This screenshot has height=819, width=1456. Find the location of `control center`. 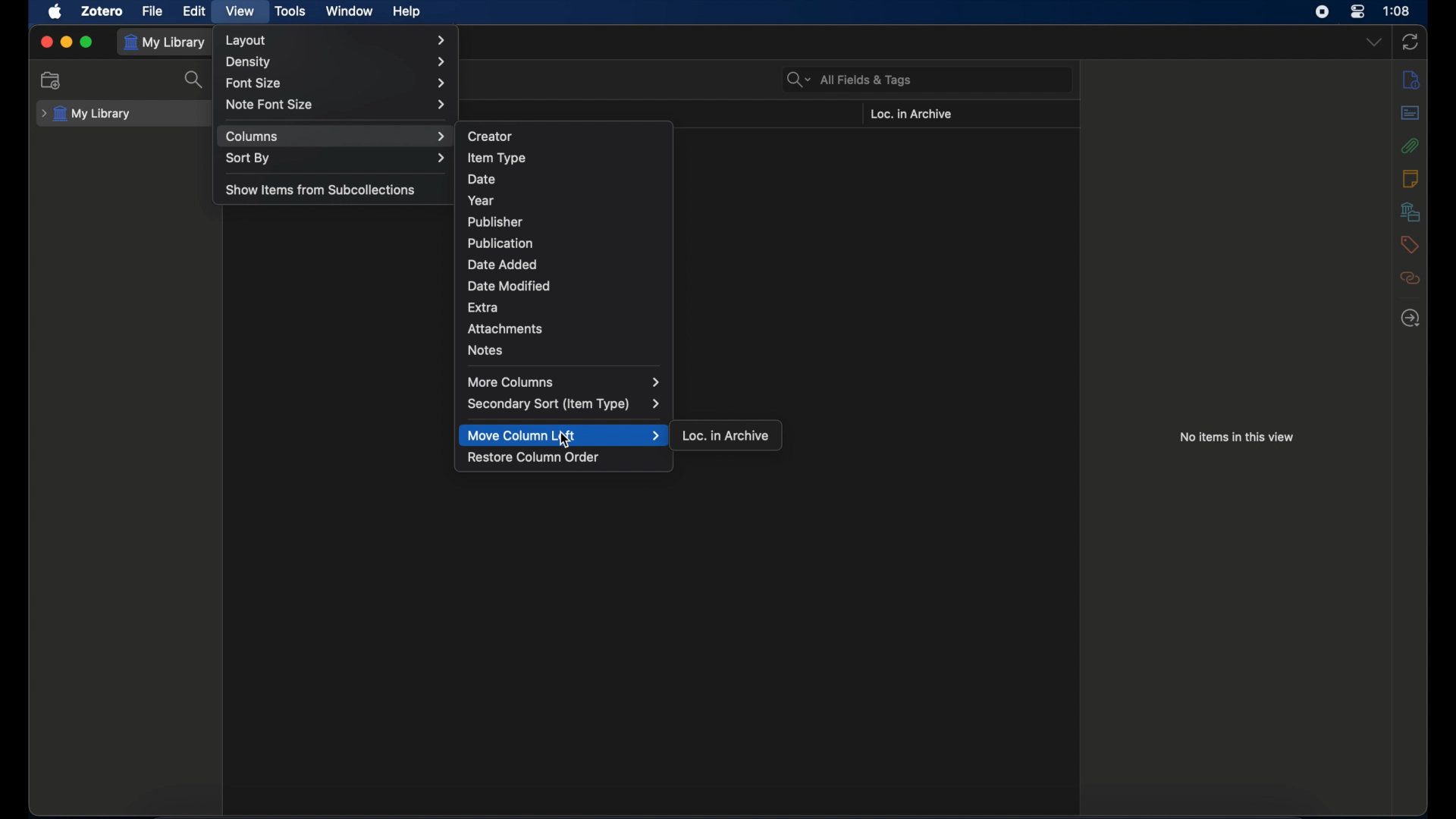

control center is located at coordinates (1357, 12).